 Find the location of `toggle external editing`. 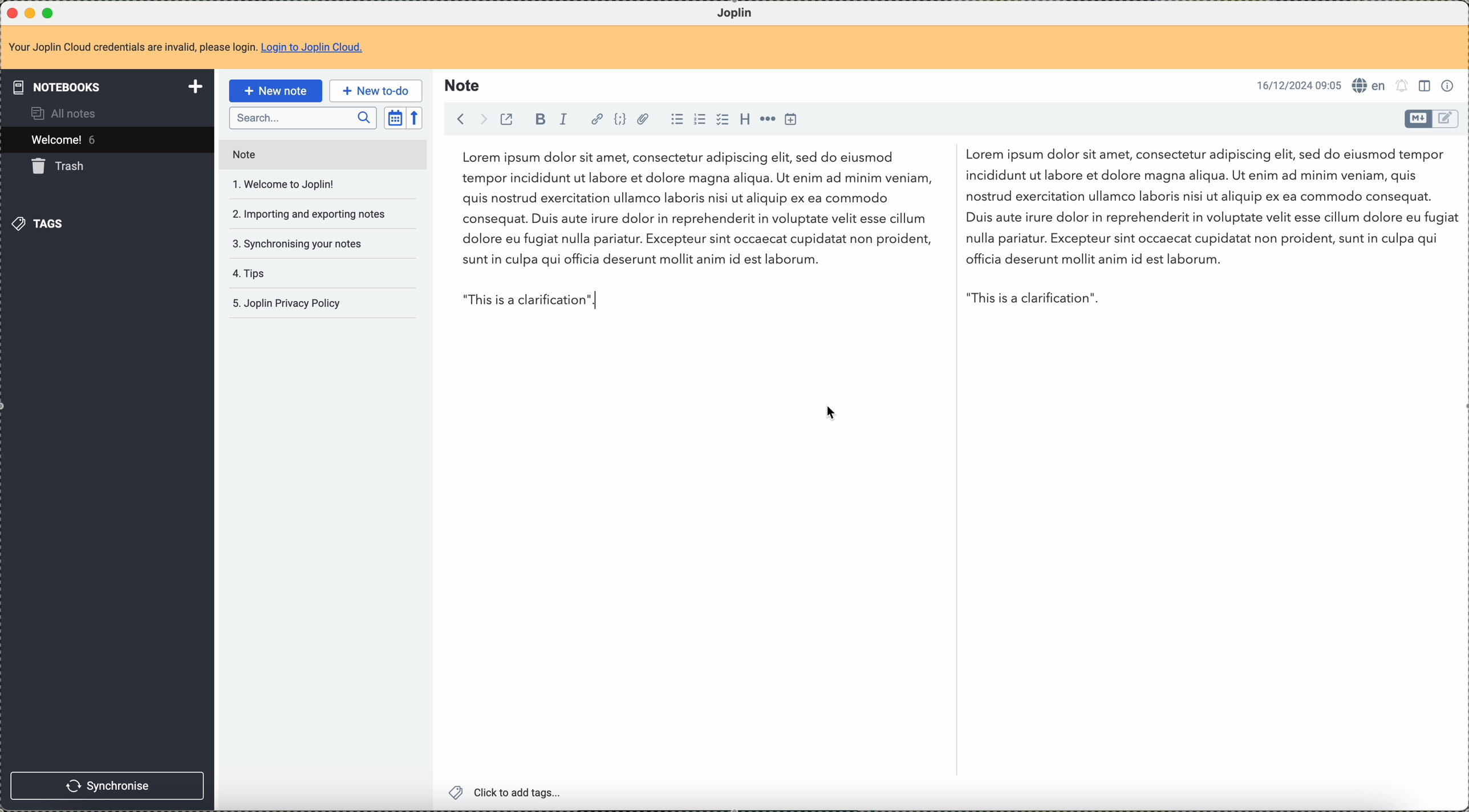

toggle external editing is located at coordinates (506, 120).